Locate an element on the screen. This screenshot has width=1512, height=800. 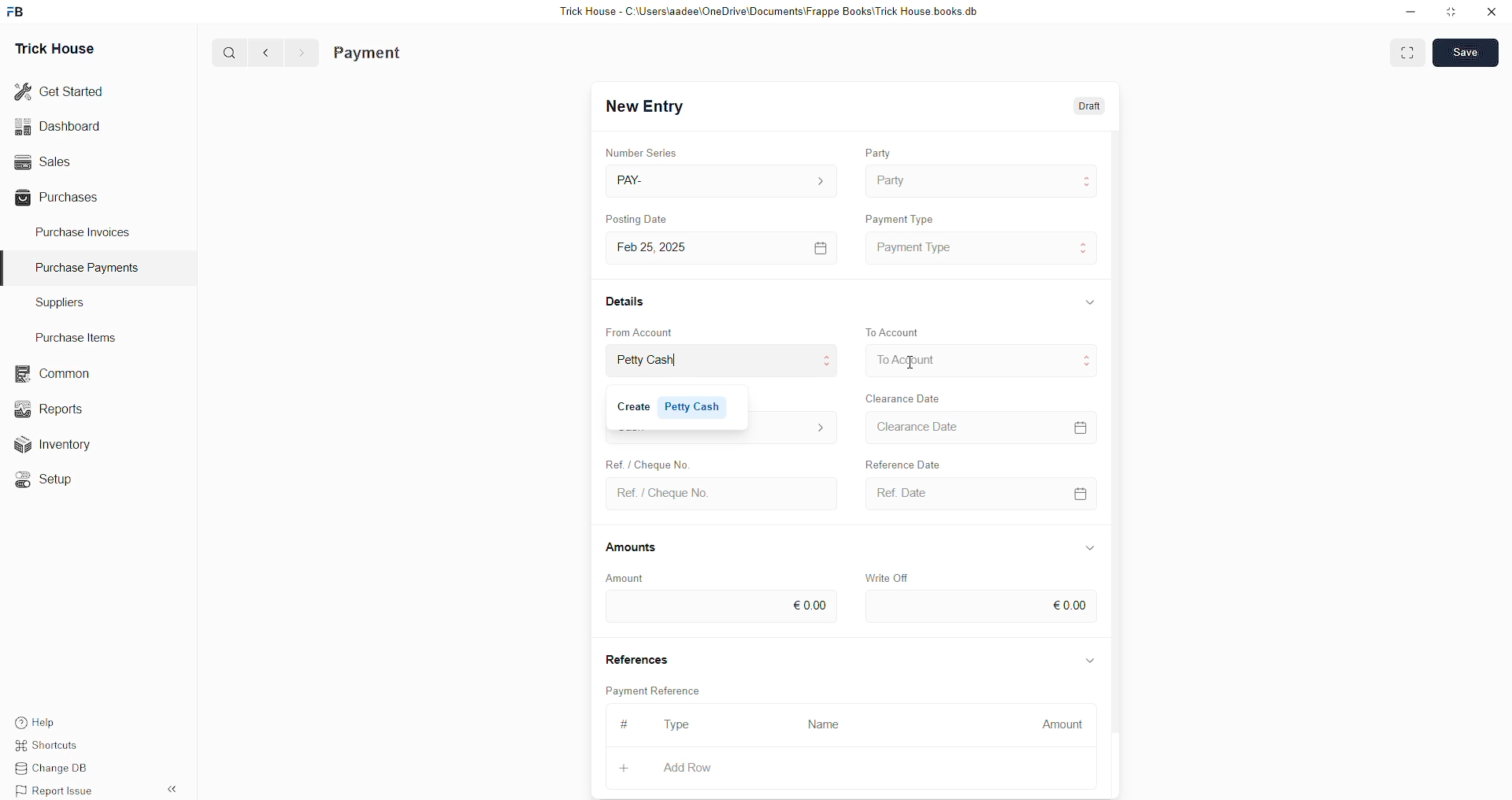
[=] is located at coordinates (821, 247).